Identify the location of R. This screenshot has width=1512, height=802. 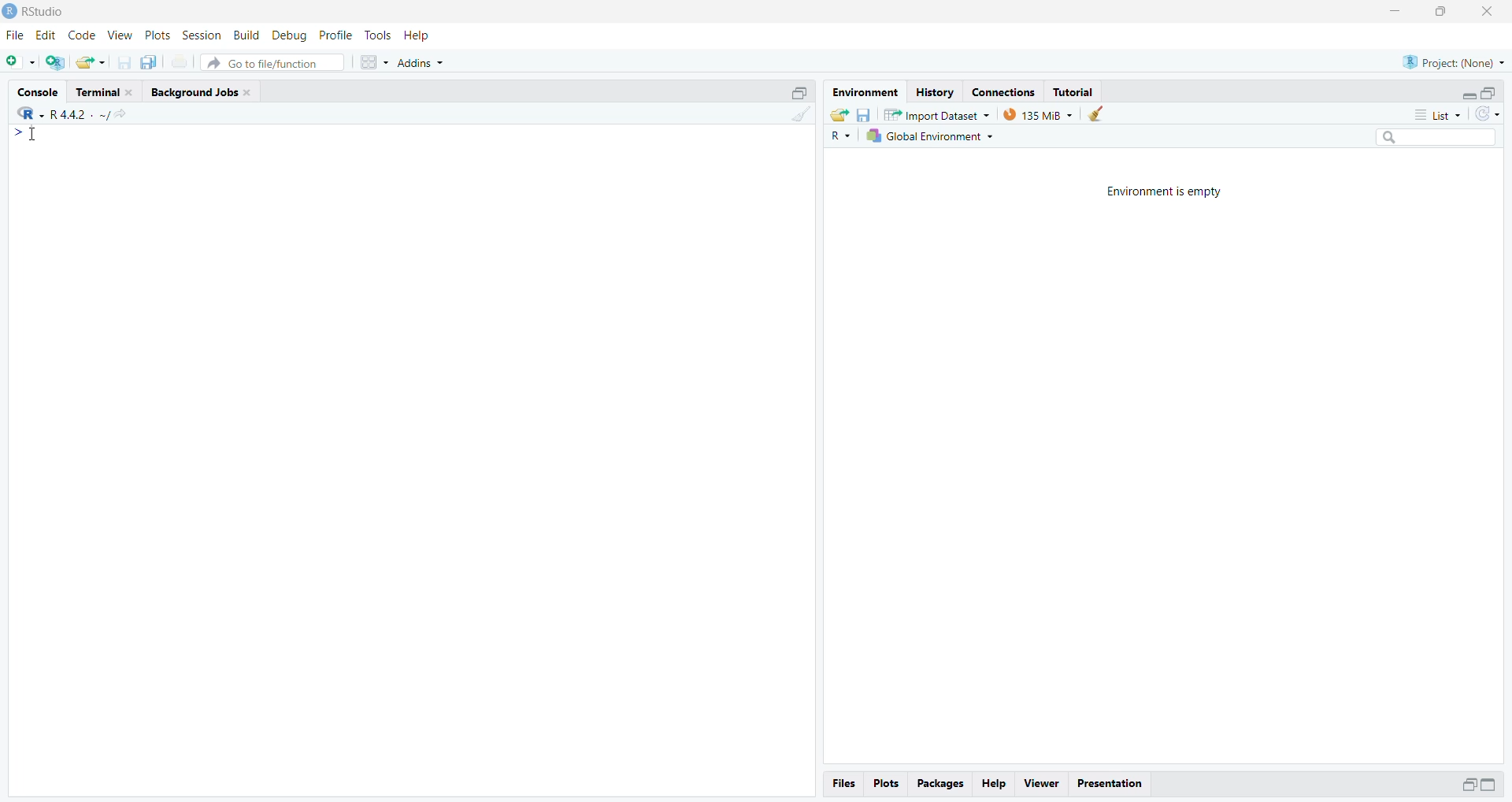
(26, 112).